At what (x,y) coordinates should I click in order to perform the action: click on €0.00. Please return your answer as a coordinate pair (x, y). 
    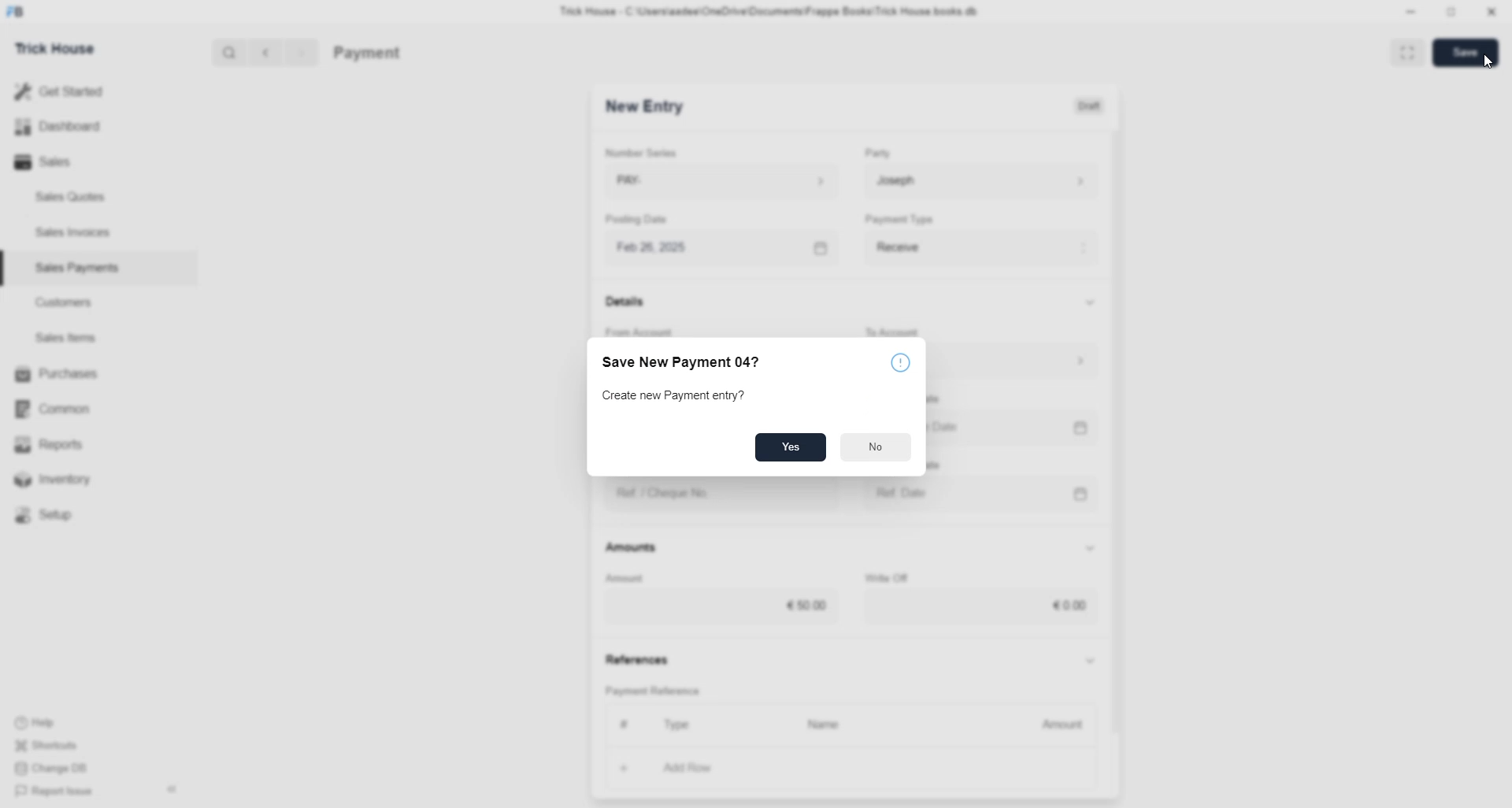
    Looking at the image, I should click on (982, 606).